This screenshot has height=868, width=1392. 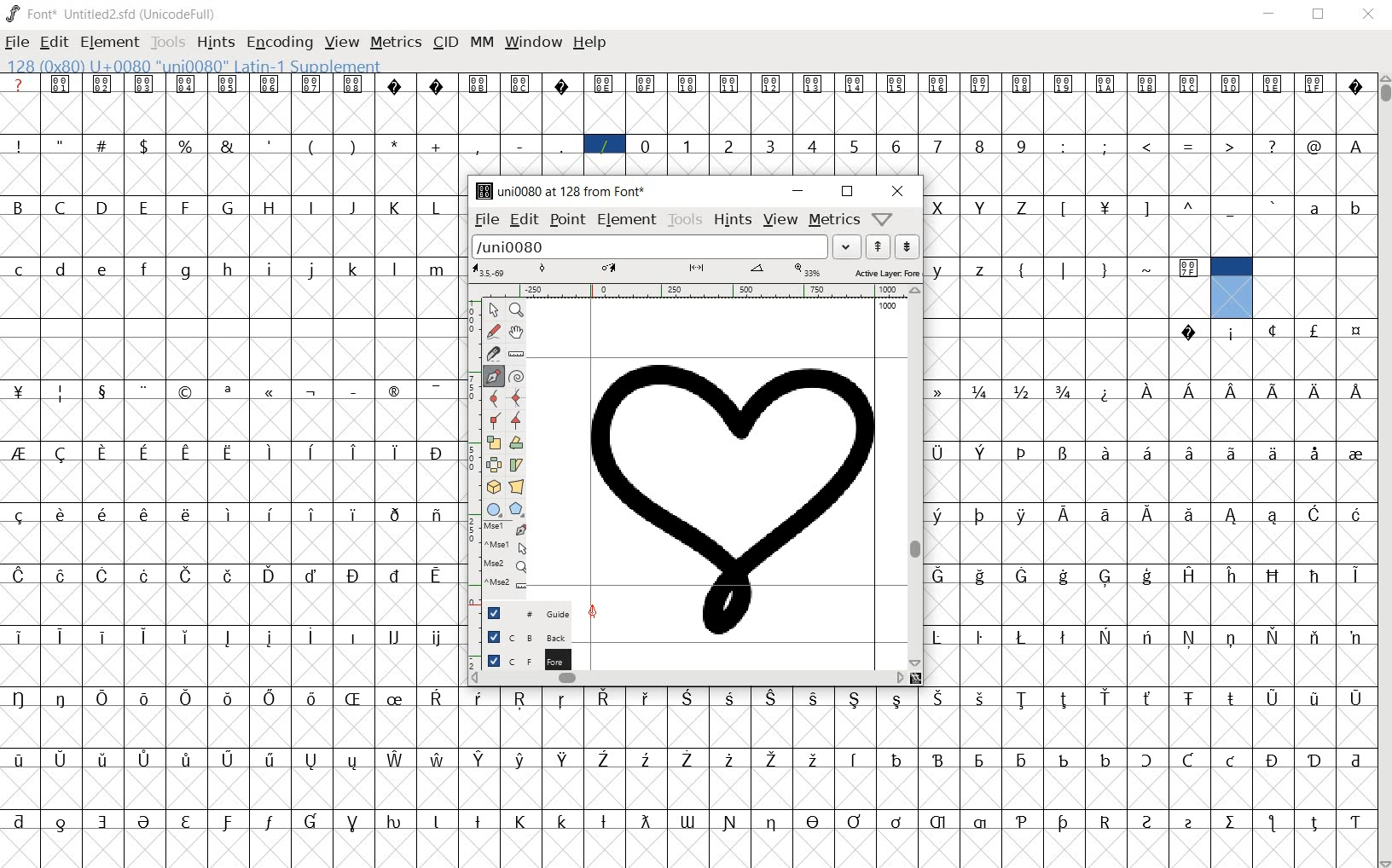 What do you see at coordinates (1147, 391) in the screenshot?
I see `glyph` at bounding box center [1147, 391].